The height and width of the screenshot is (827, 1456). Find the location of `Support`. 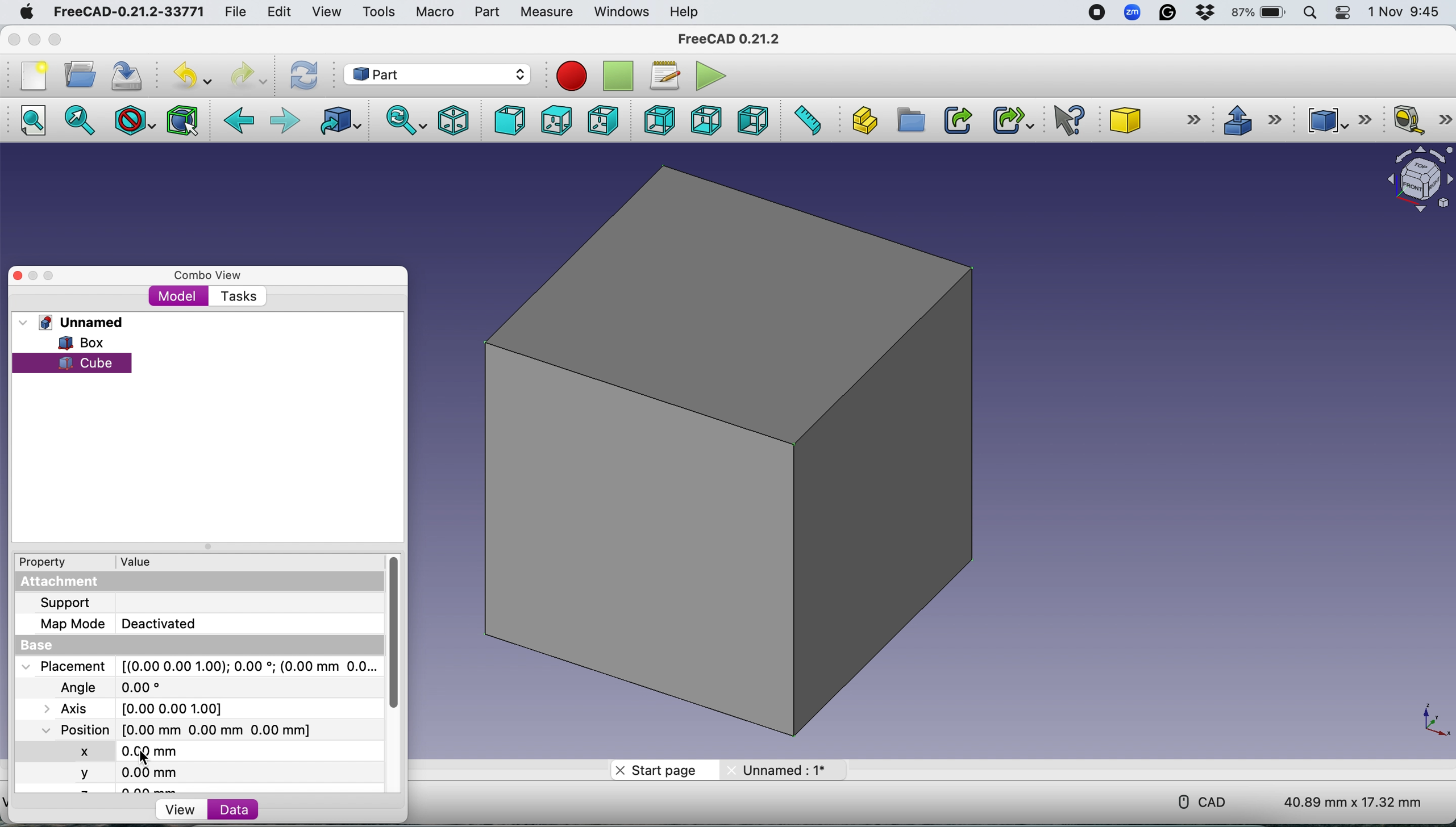

Support is located at coordinates (65, 602).